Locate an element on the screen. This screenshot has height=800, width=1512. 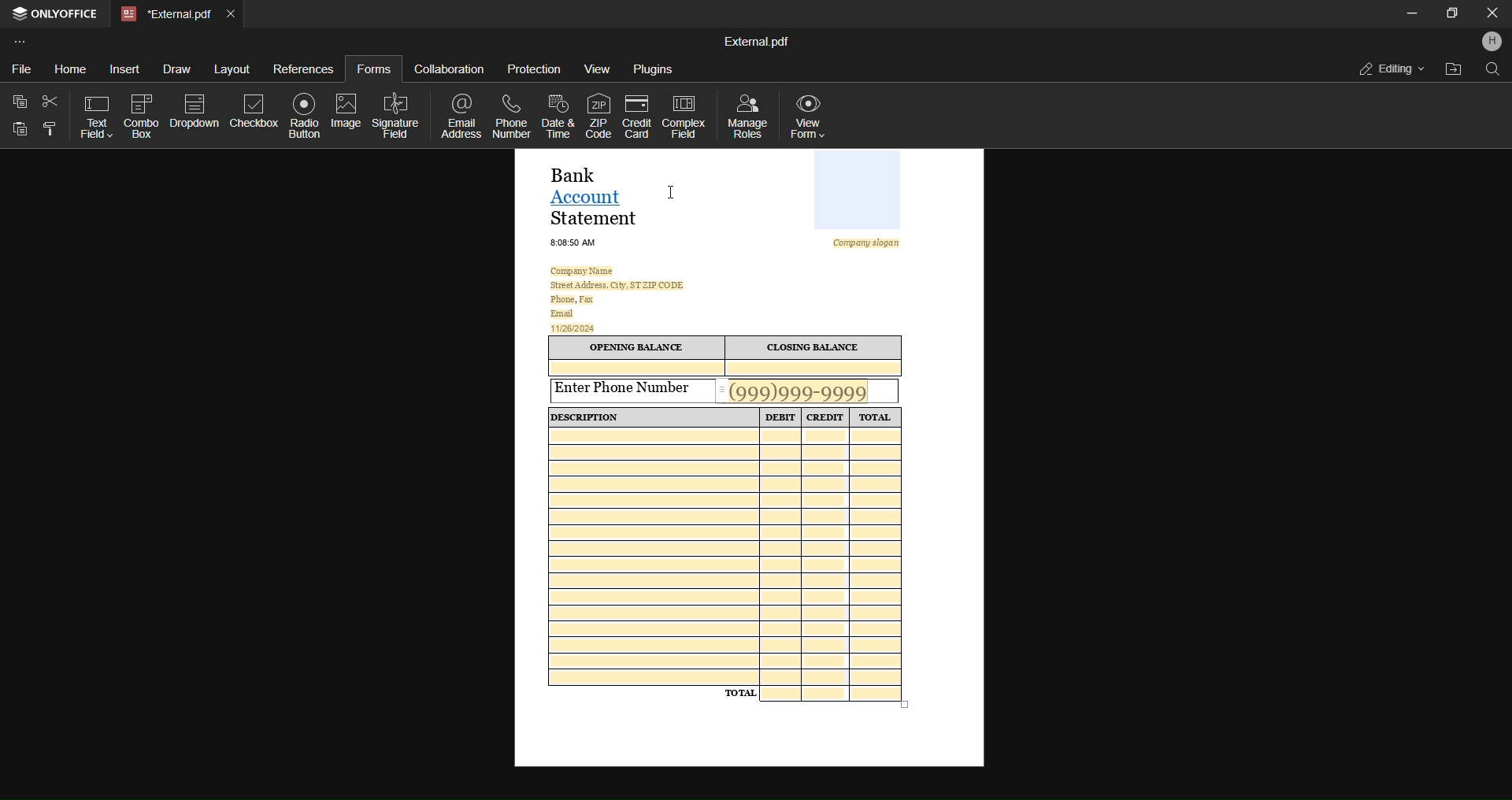
complex field is located at coordinates (686, 117).